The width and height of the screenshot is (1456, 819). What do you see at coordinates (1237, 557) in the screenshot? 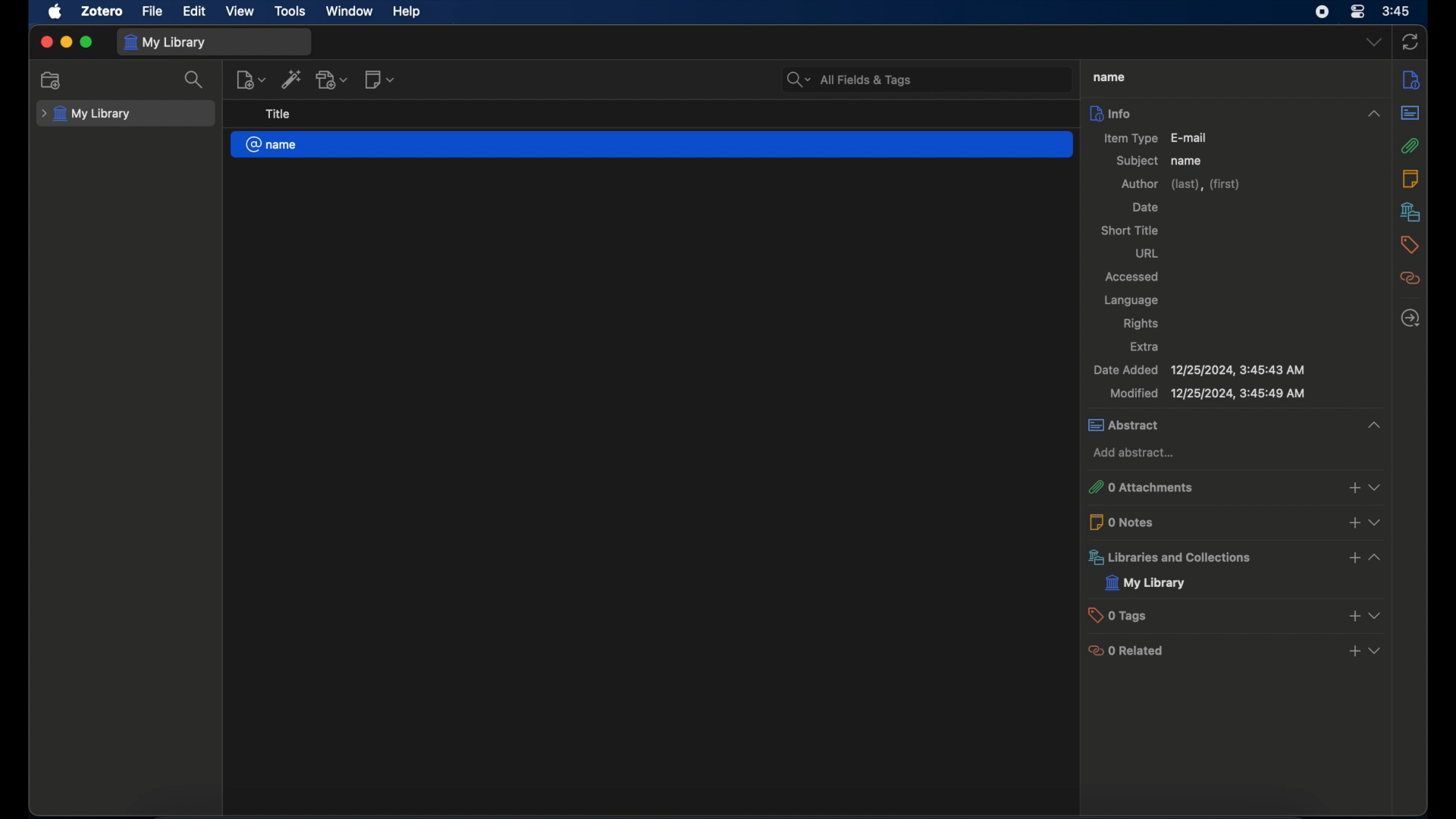
I see `libraries` at bounding box center [1237, 557].